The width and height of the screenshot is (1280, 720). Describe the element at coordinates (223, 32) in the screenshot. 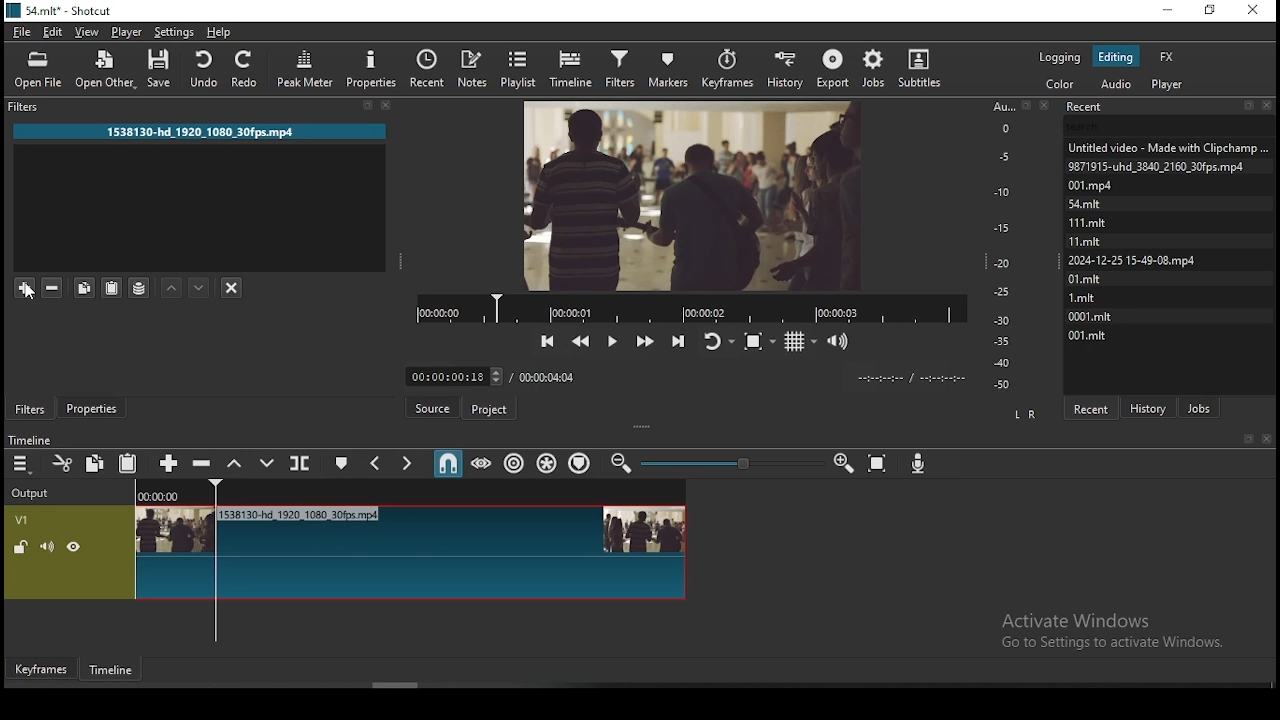

I see `help` at that location.